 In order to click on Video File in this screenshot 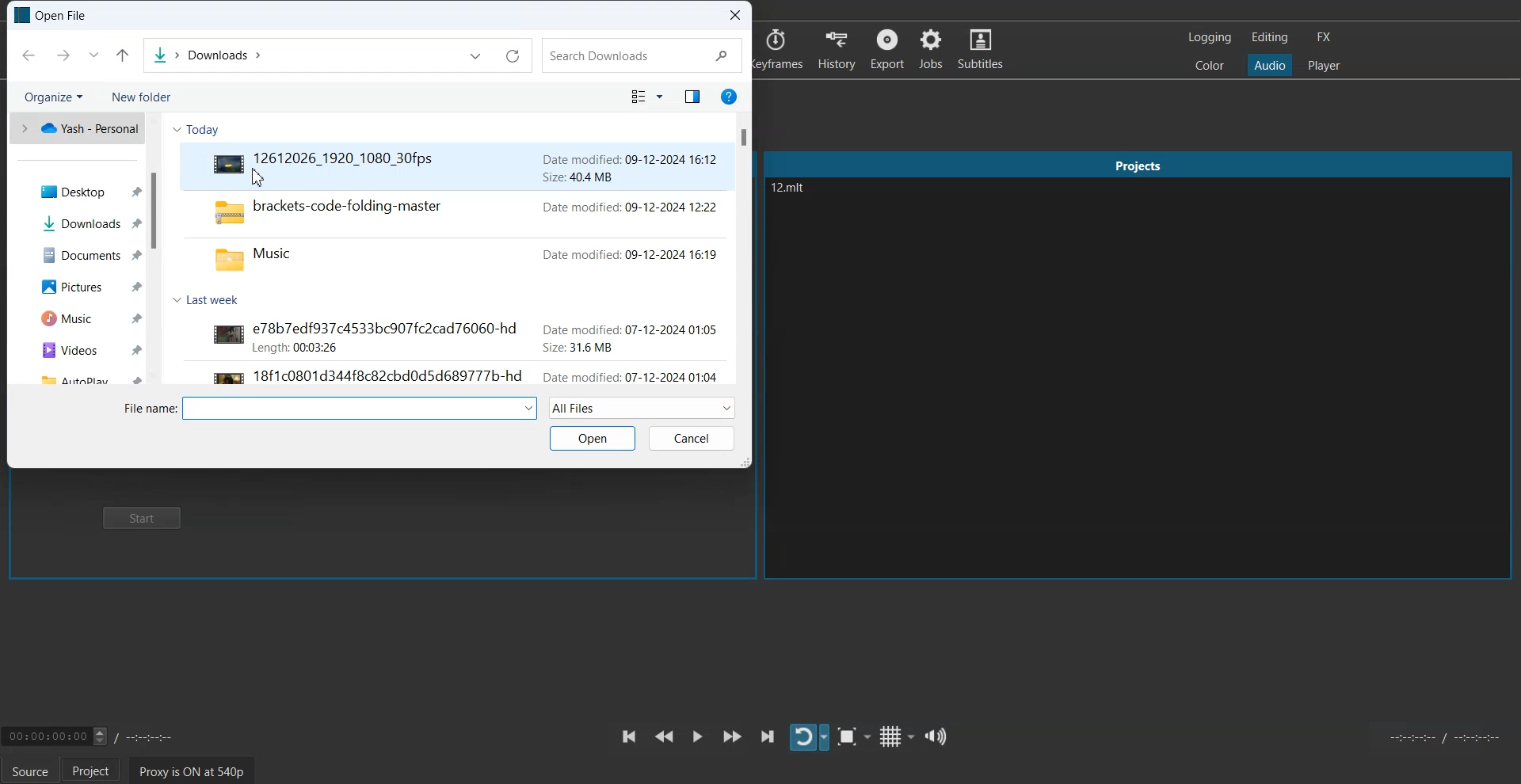, I will do `click(458, 166)`.